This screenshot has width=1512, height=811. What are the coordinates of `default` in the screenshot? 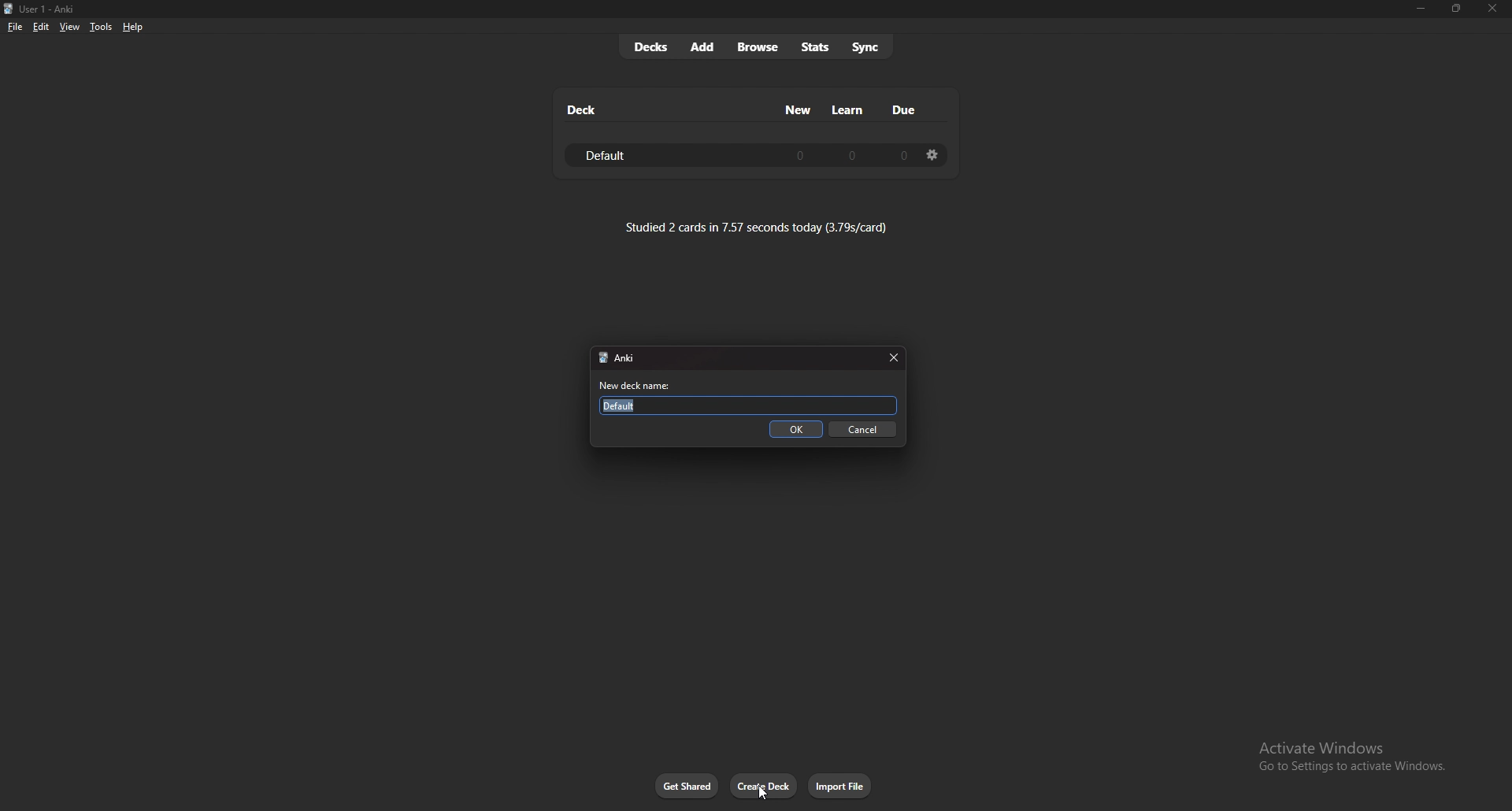 It's located at (613, 156).